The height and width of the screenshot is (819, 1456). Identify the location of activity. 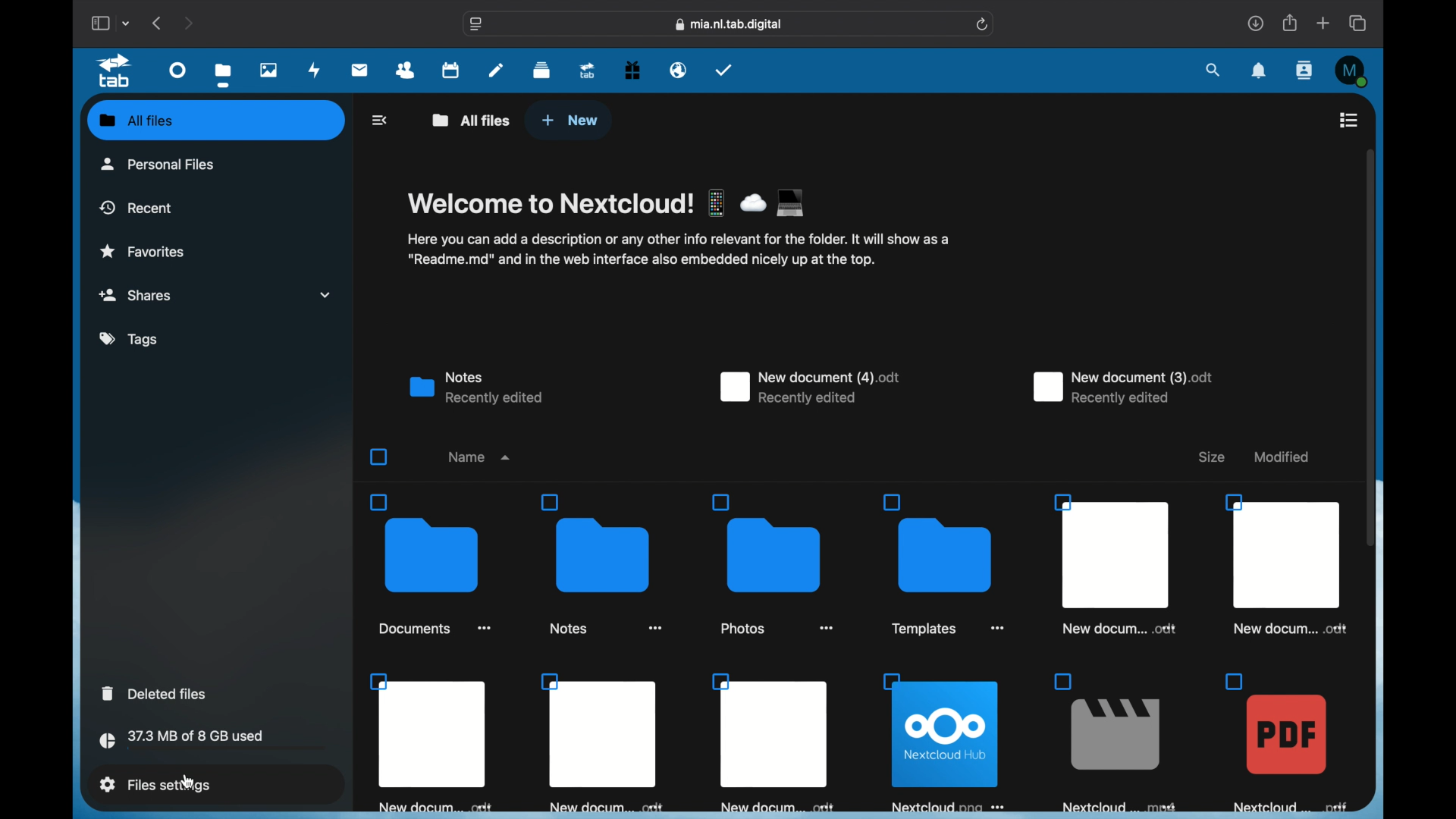
(315, 70).